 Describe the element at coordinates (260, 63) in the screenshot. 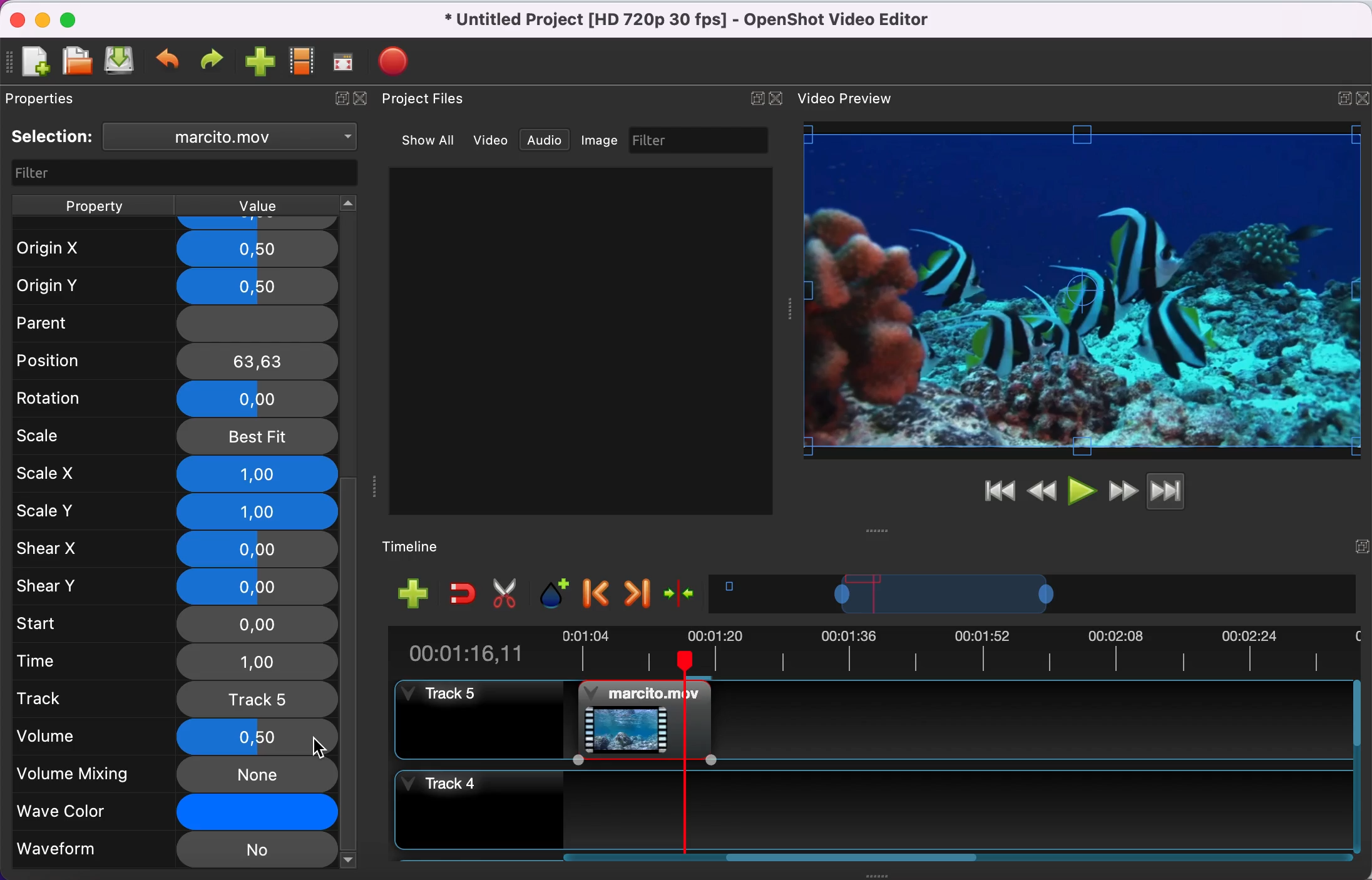

I see `import file` at that location.